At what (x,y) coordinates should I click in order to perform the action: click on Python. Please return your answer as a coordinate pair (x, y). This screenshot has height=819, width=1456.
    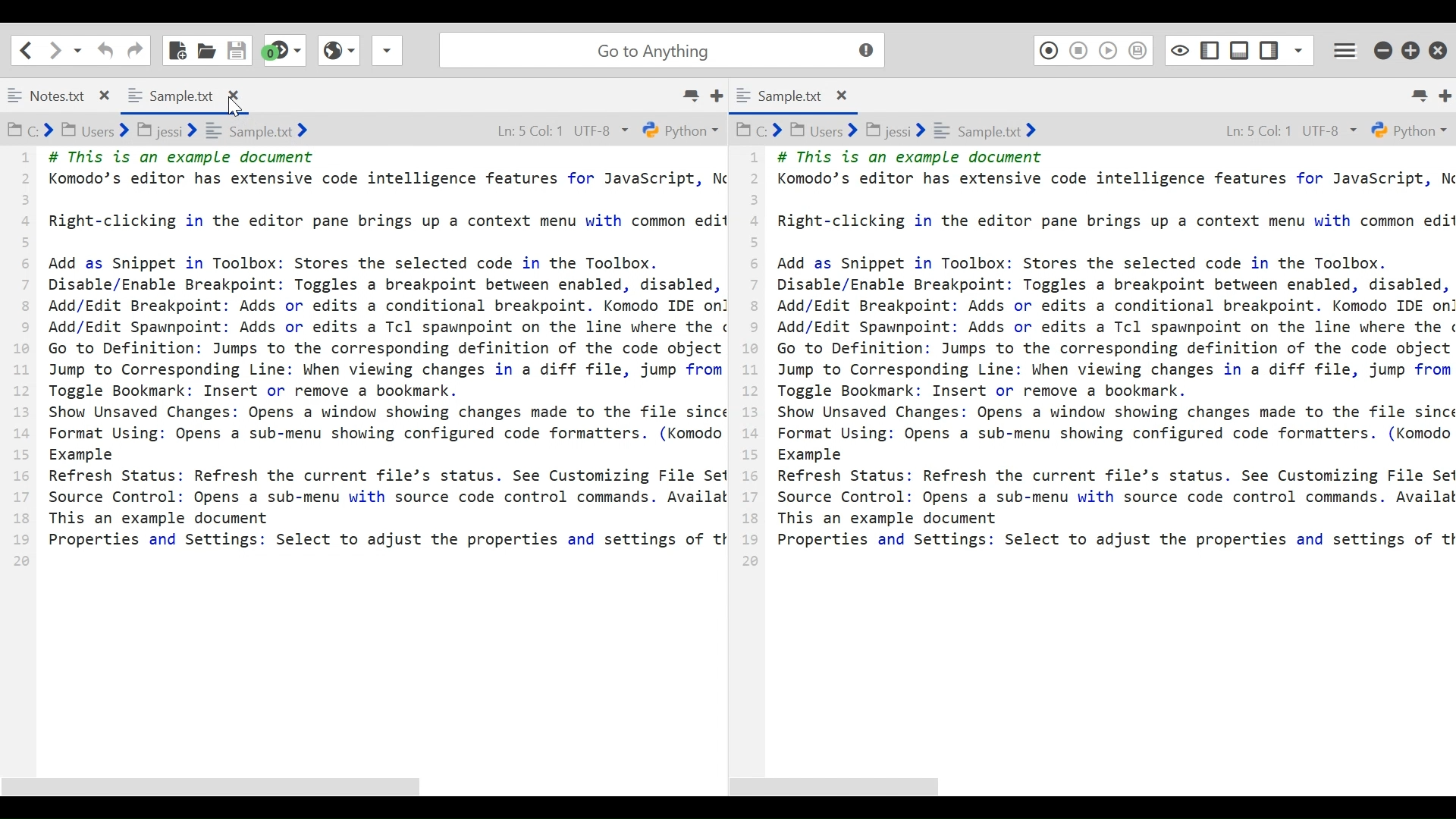
    Looking at the image, I should click on (1409, 130).